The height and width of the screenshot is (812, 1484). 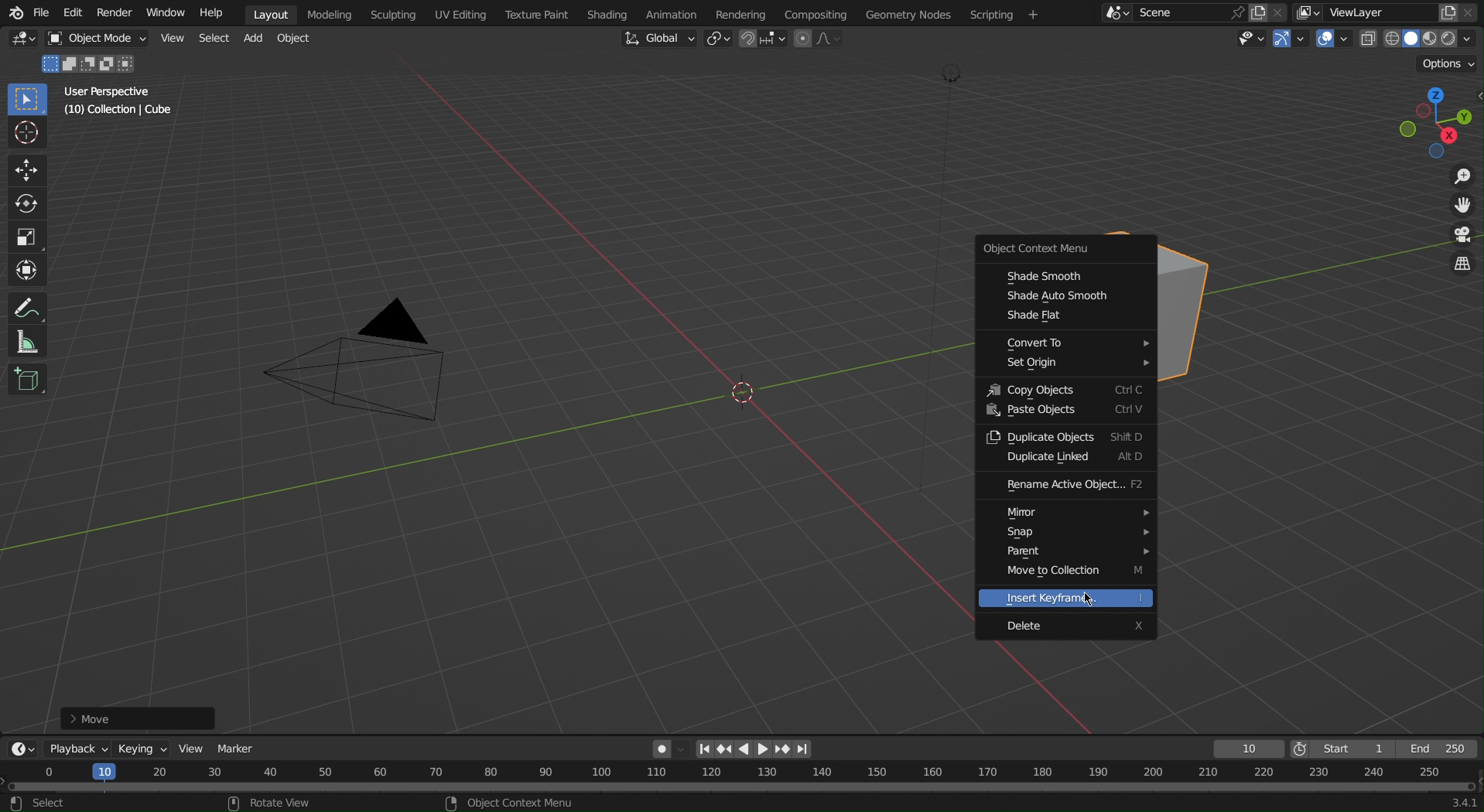 I want to click on Shade Auto Smooth, so click(x=1062, y=299).